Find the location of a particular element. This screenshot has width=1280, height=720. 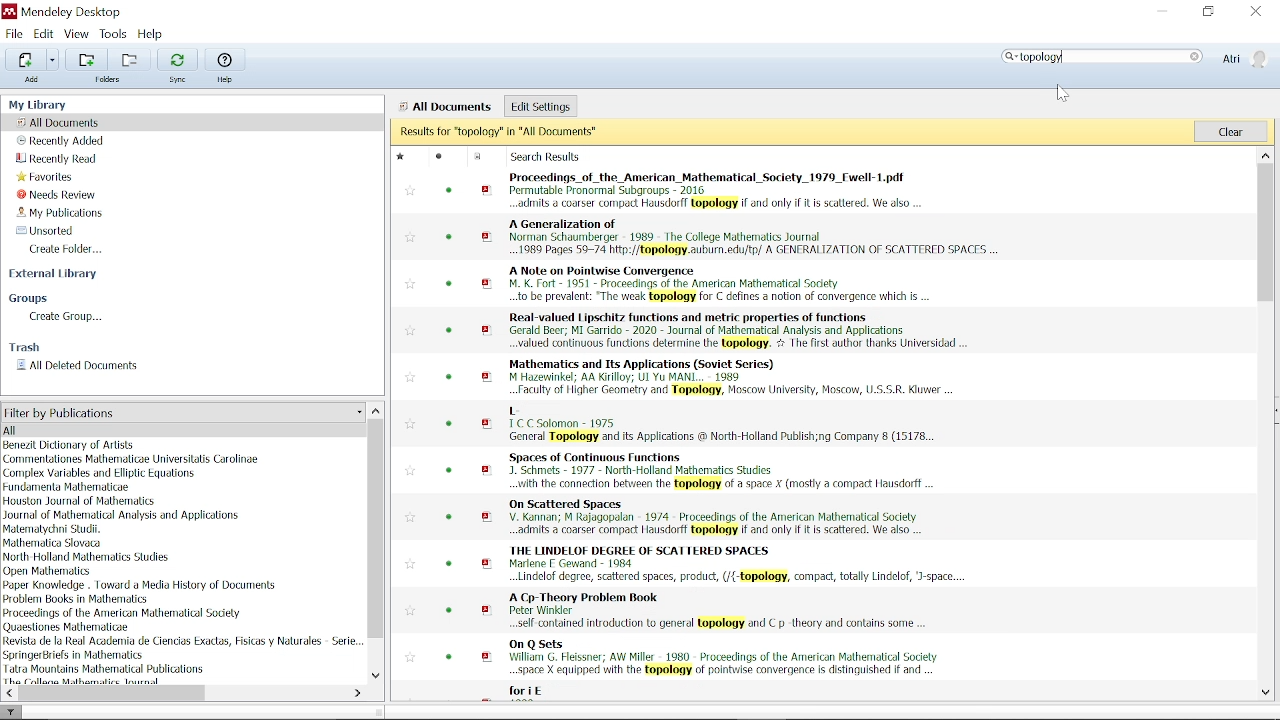

Create group is located at coordinates (68, 317).